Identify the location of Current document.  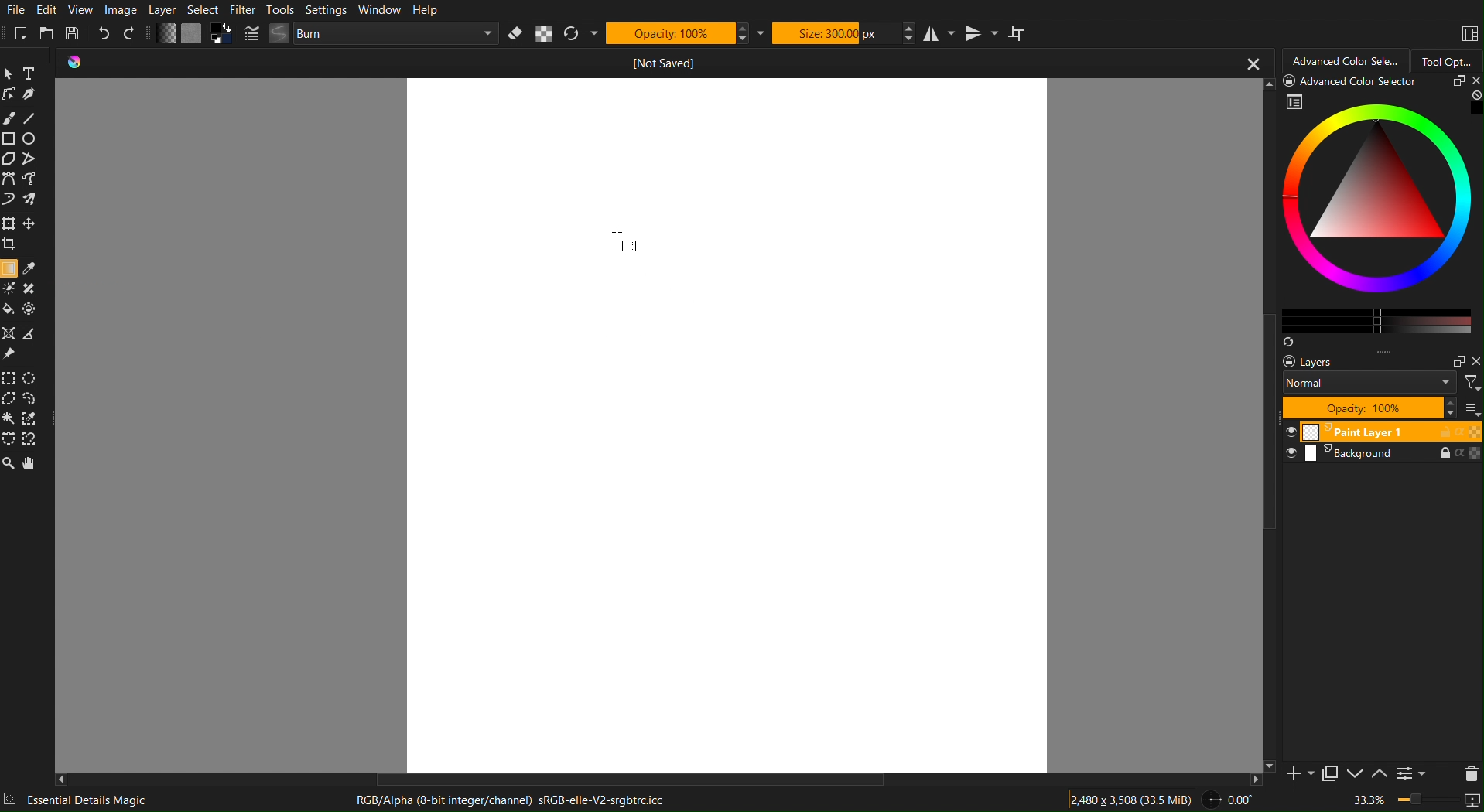
(664, 63).